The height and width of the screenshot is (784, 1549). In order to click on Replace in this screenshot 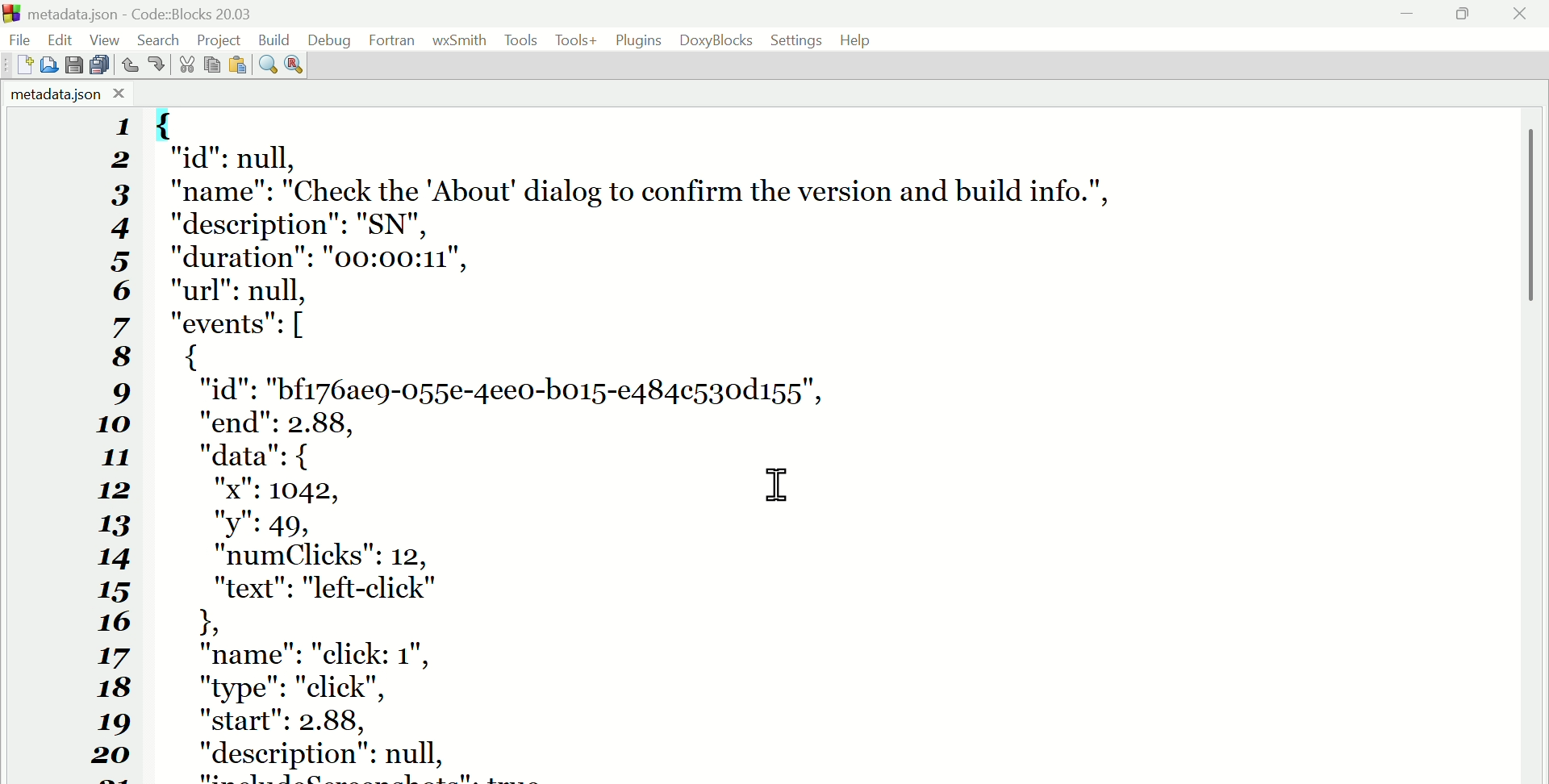, I will do `click(294, 63)`.